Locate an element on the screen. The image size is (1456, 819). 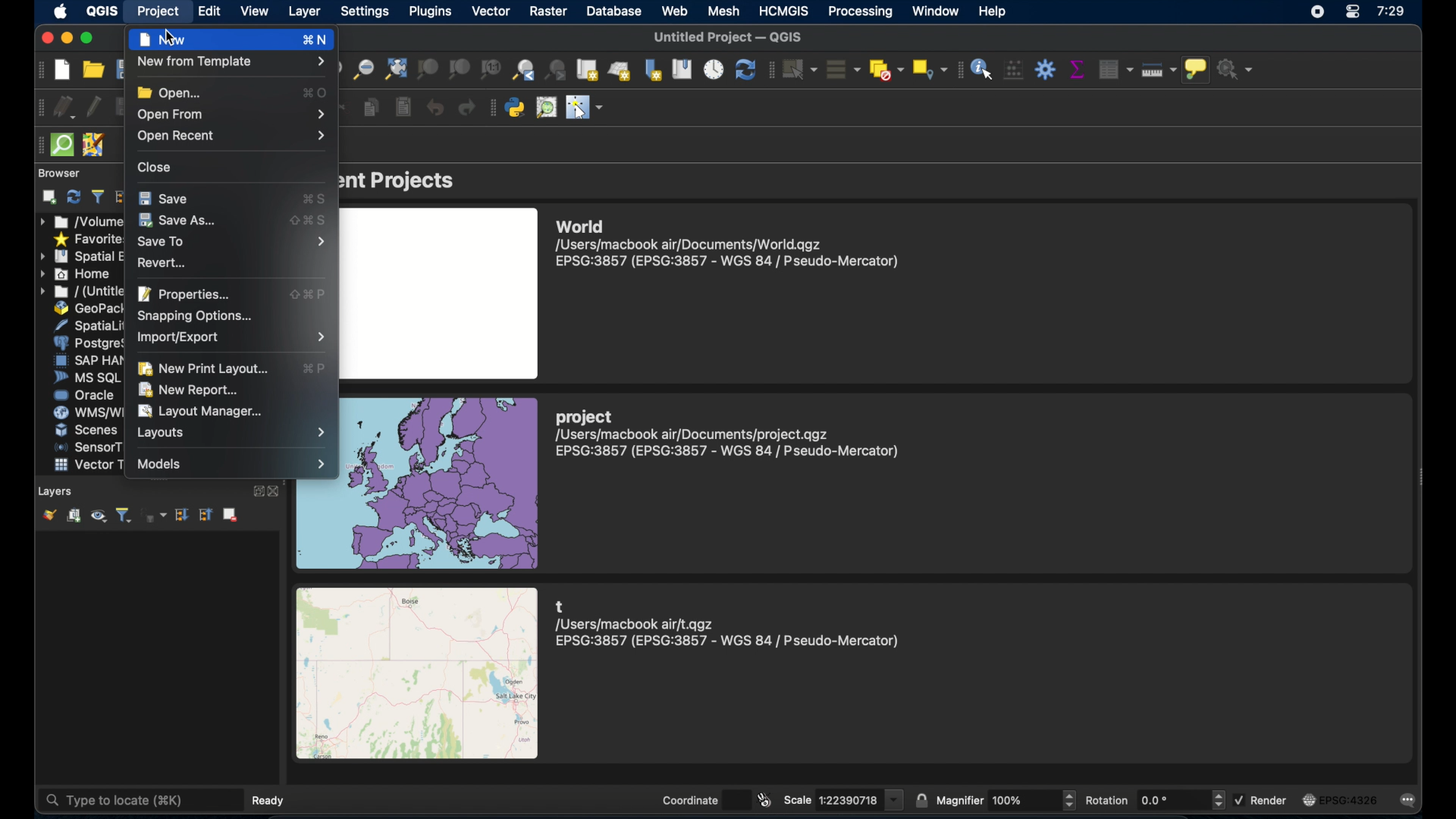
new  is located at coordinates (199, 38).